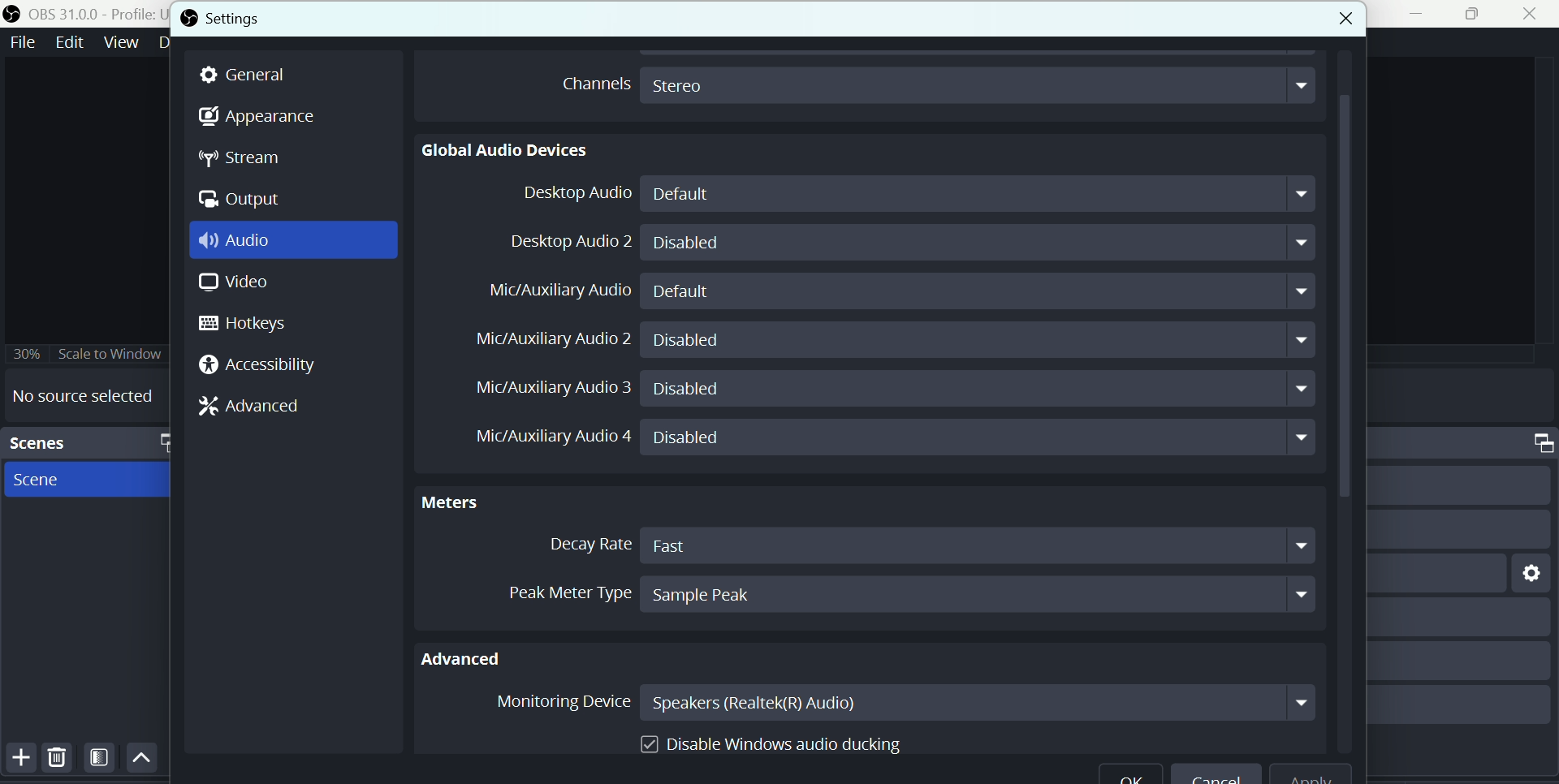  Describe the element at coordinates (1533, 443) in the screenshot. I see `maximize` at that location.